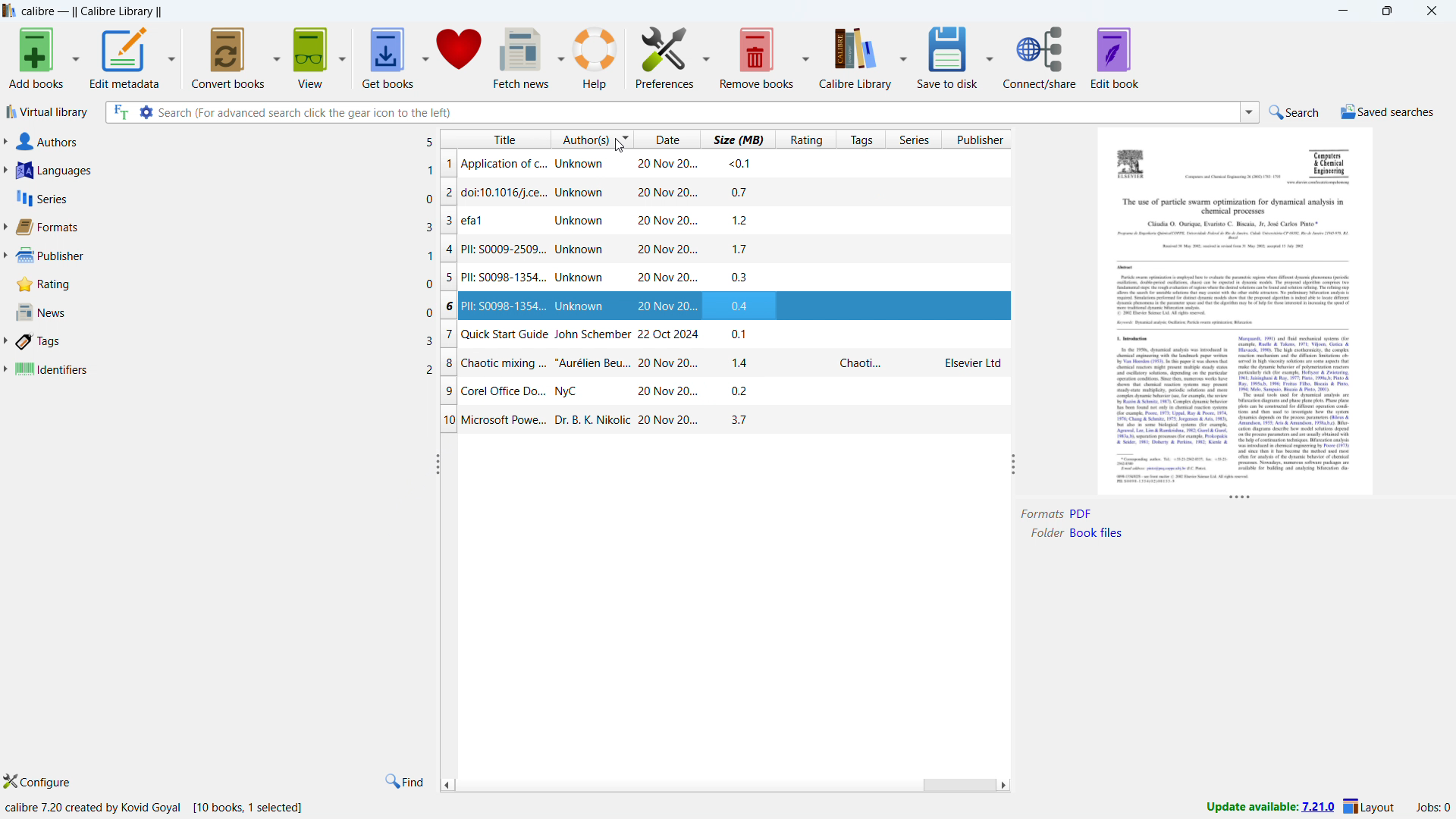 The width and height of the screenshot is (1456, 819). Describe the element at coordinates (1013, 463) in the screenshot. I see `resize` at that location.